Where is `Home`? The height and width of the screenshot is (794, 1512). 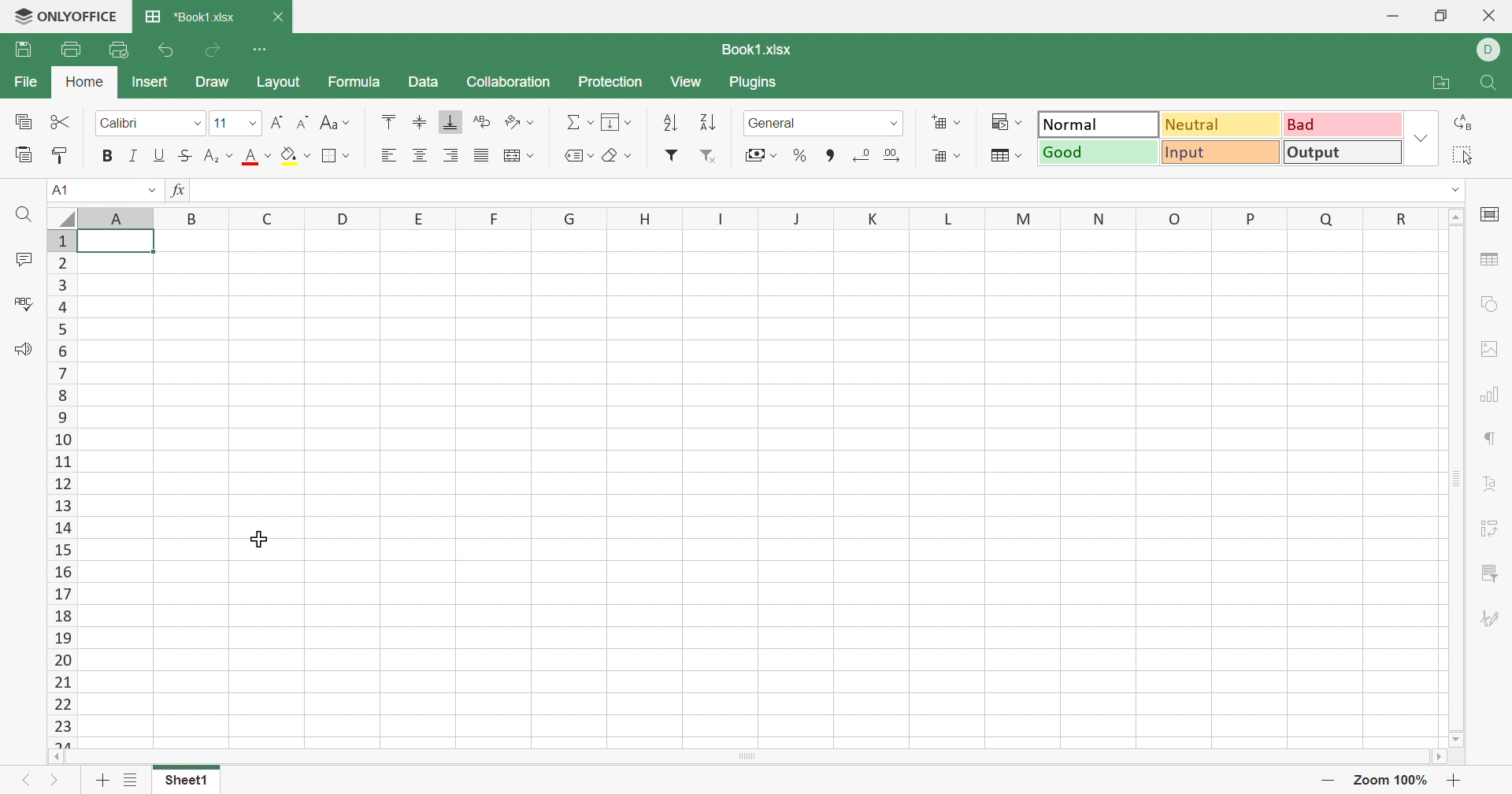
Home is located at coordinates (83, 78).